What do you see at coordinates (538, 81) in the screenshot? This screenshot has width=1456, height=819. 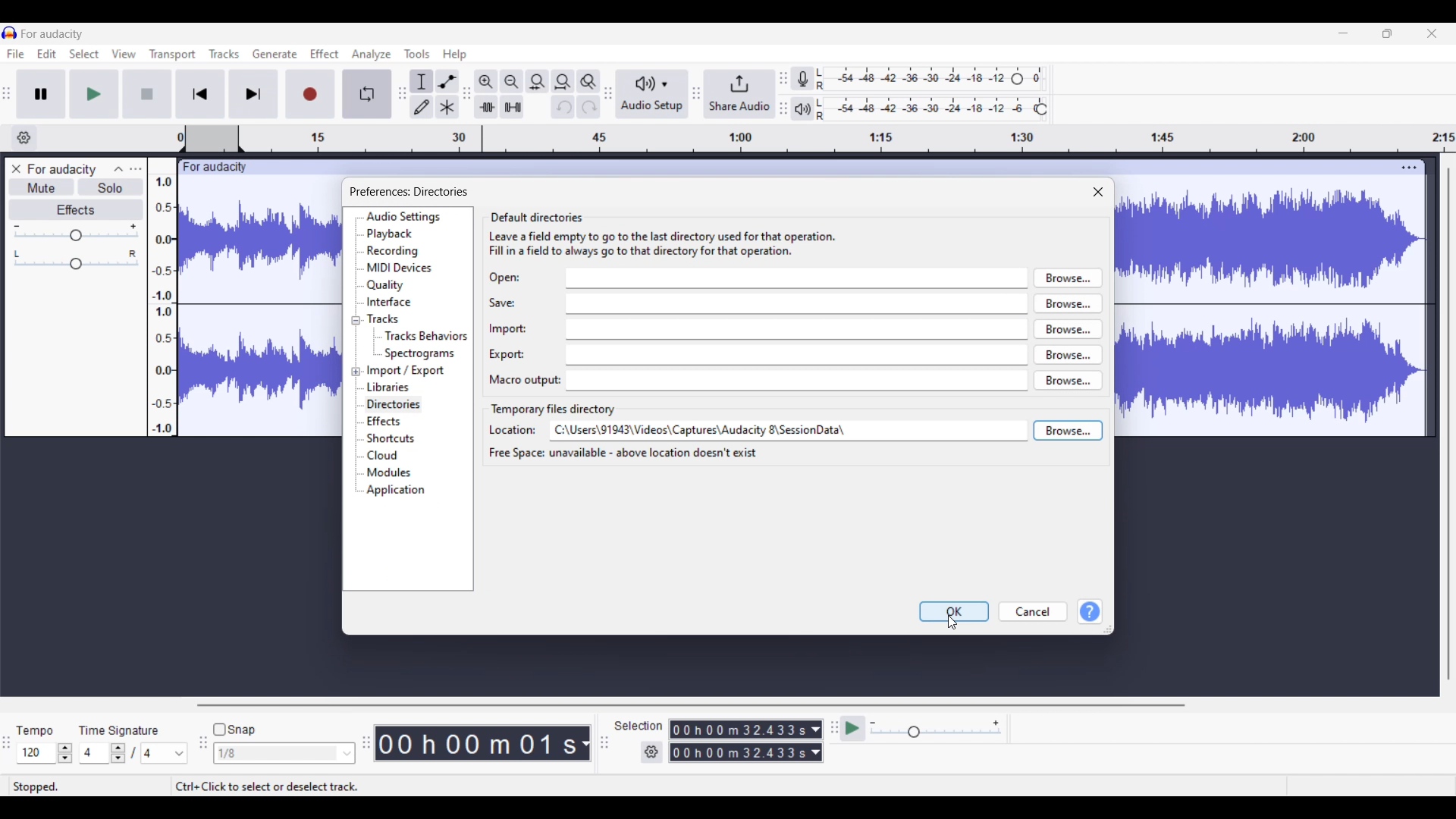 I see `Fit selection to width` at bounding box center [538, 81].